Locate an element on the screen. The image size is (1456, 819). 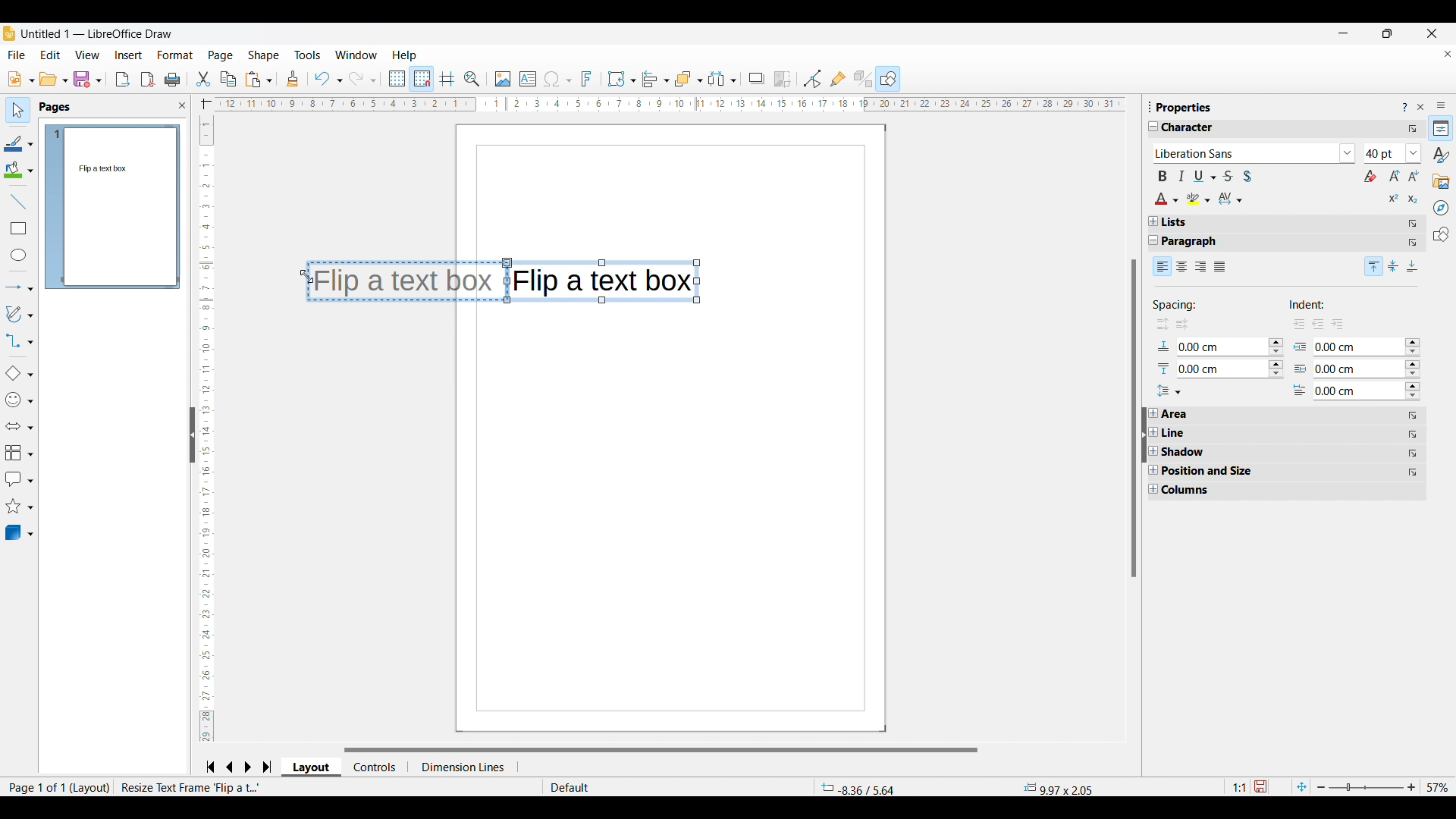
Arrange options is located at coordinates (689, 80).